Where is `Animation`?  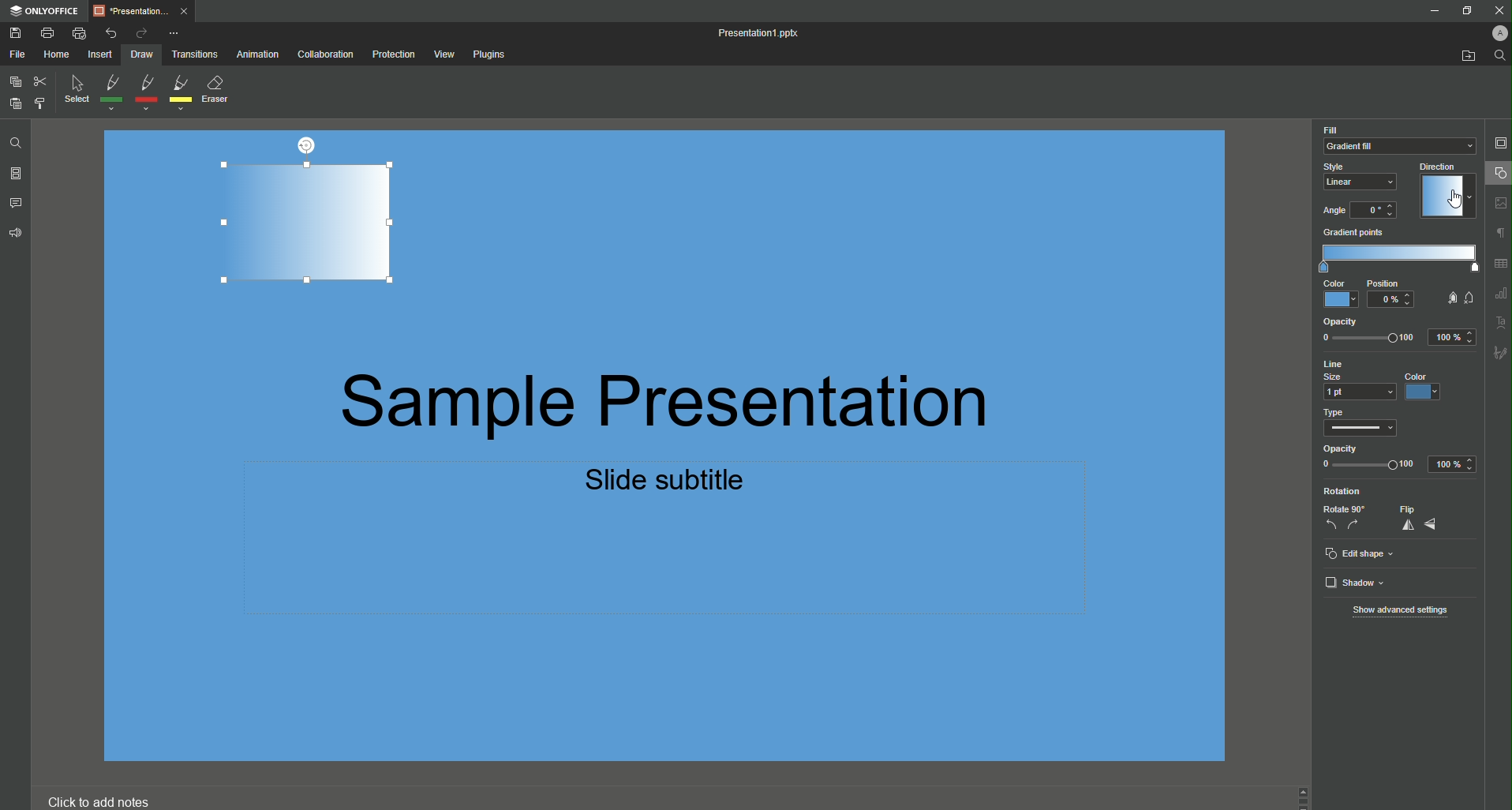 Animation is located at coordinates (259, 56).